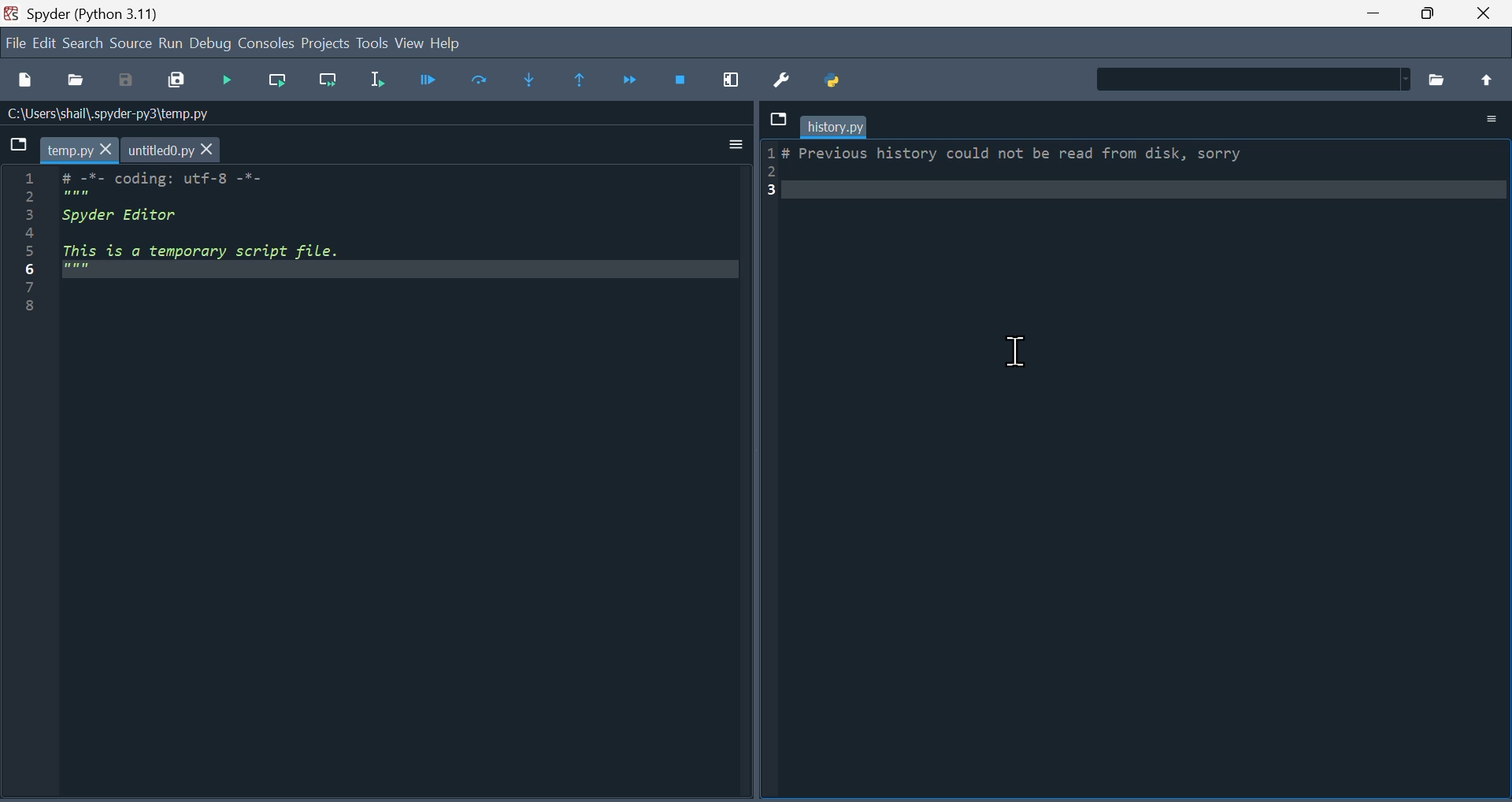 Image resolution: width=1512 pixels, height=802 pixels. What do you see at coordinates (265, 41) in the screenshot?
I see `Consol` at bounding box center [265, 41].